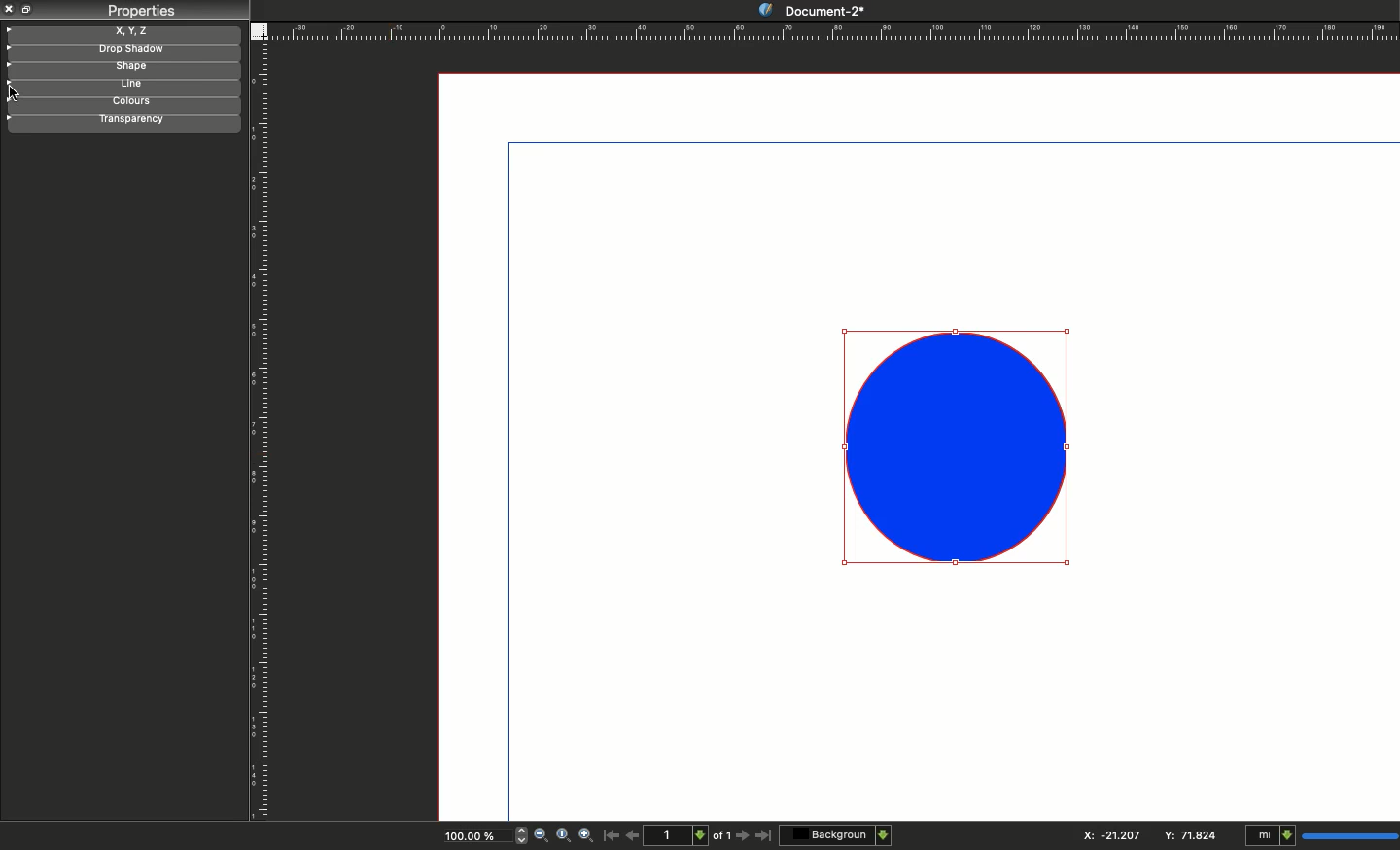  I want to click on zoom in and out, so click(517, 834).